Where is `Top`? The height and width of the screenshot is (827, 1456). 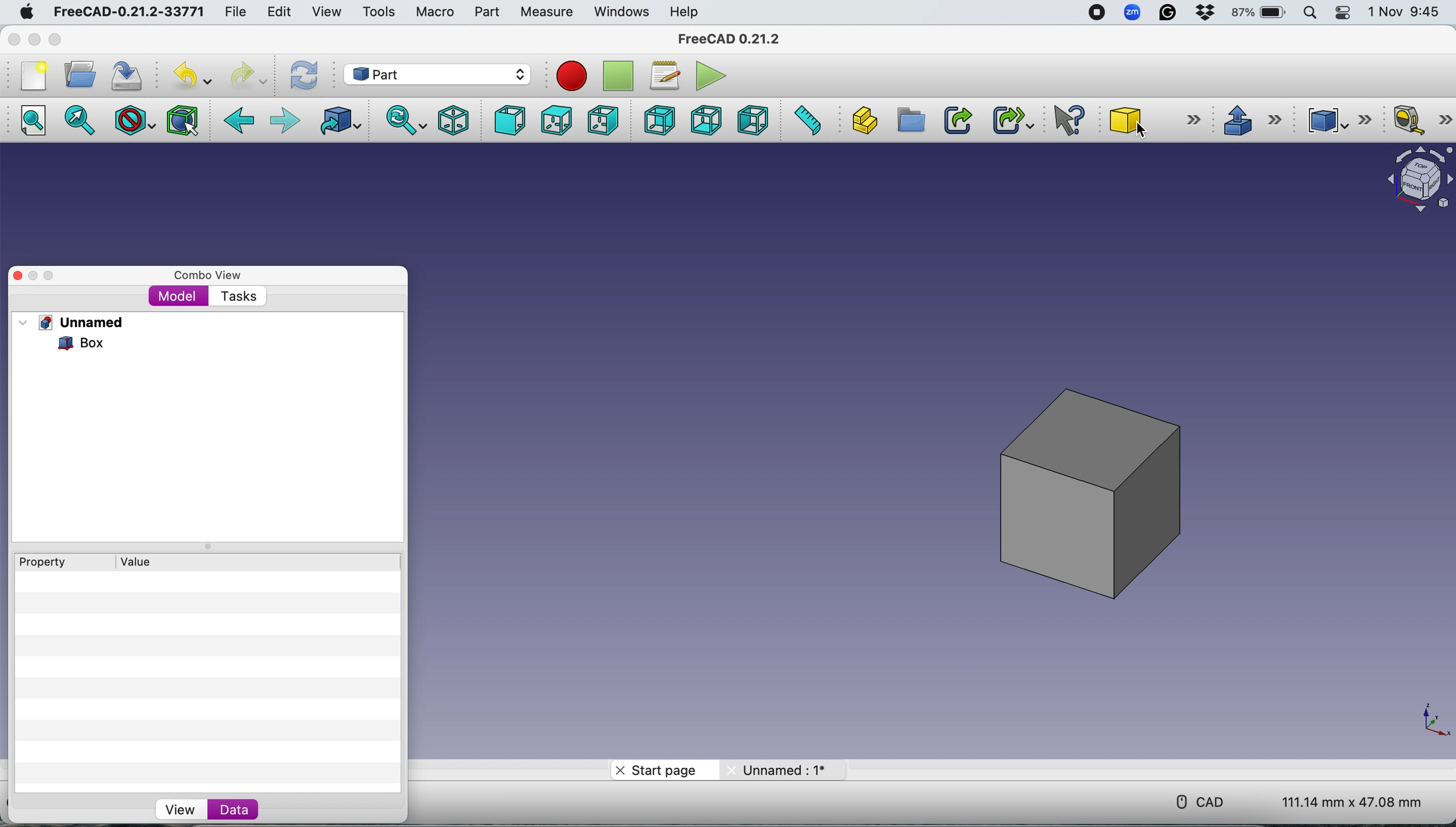 Top is located at coordinates (555, 121).